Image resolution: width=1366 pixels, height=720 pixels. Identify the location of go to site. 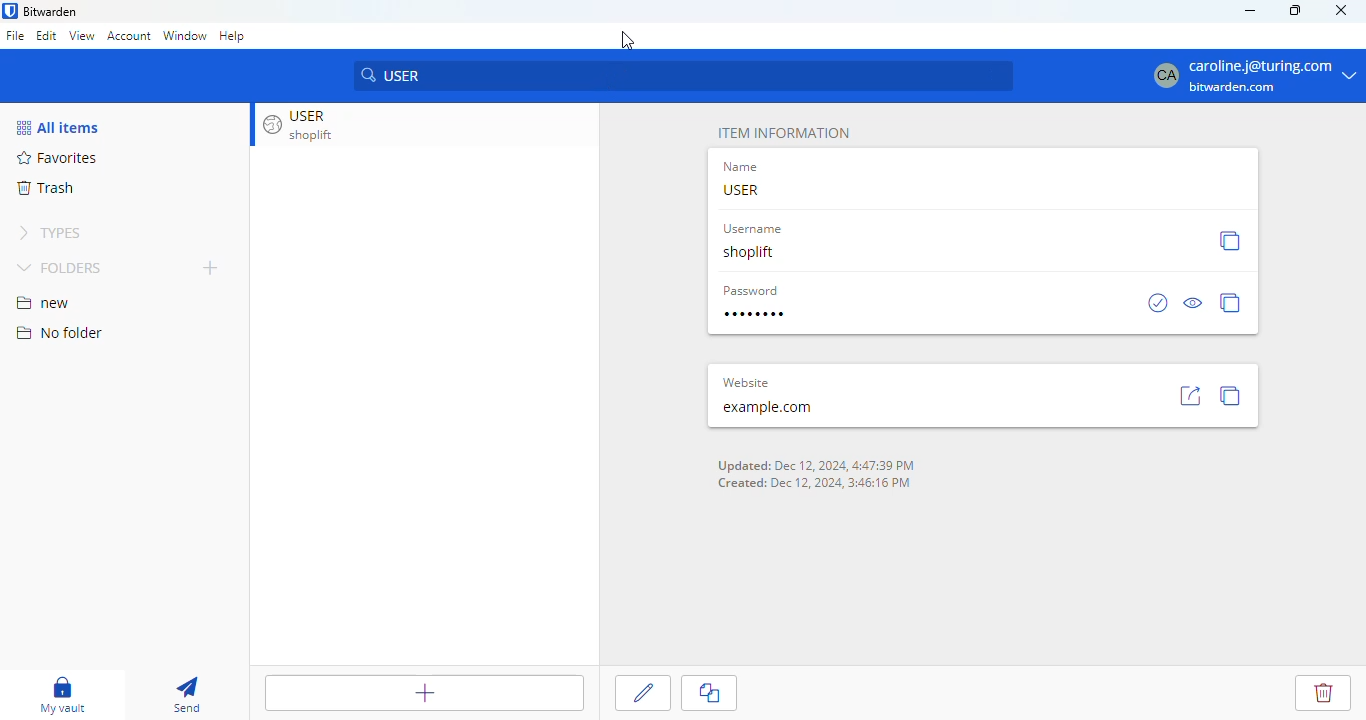
(1189, 396).